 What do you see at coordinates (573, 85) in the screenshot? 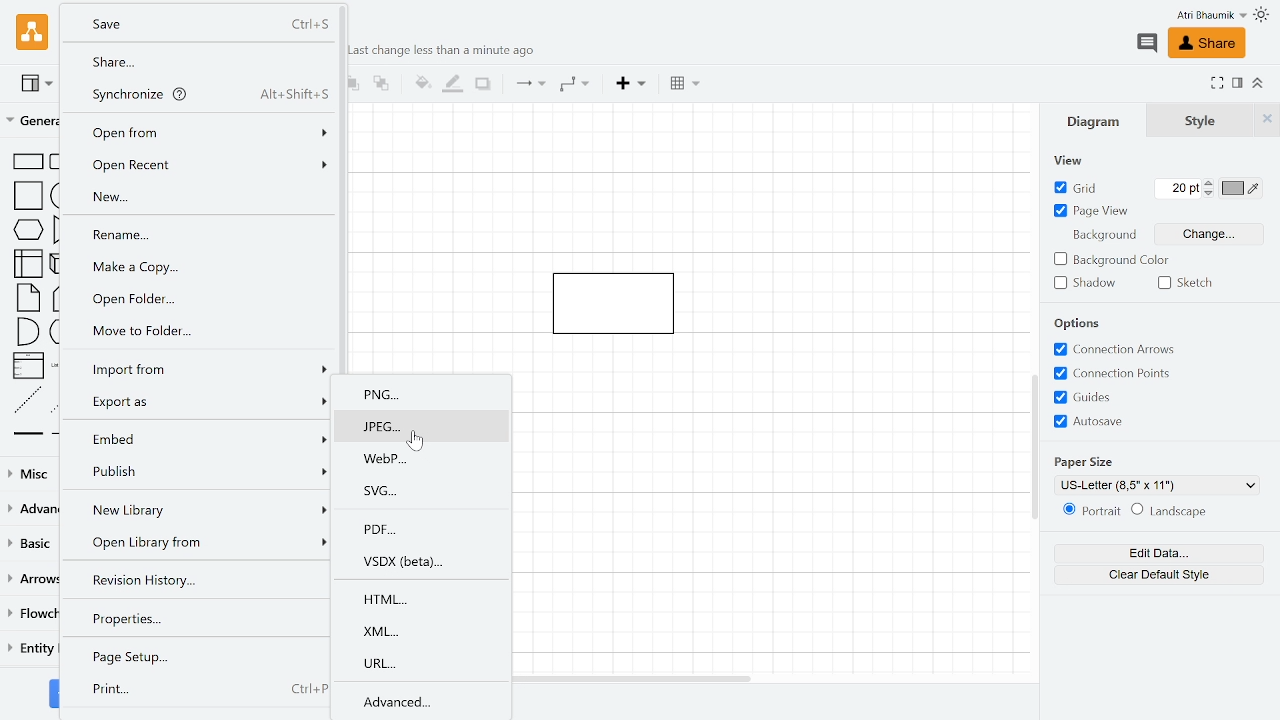
I see `Waypoints` at bounding box center [573, 85].